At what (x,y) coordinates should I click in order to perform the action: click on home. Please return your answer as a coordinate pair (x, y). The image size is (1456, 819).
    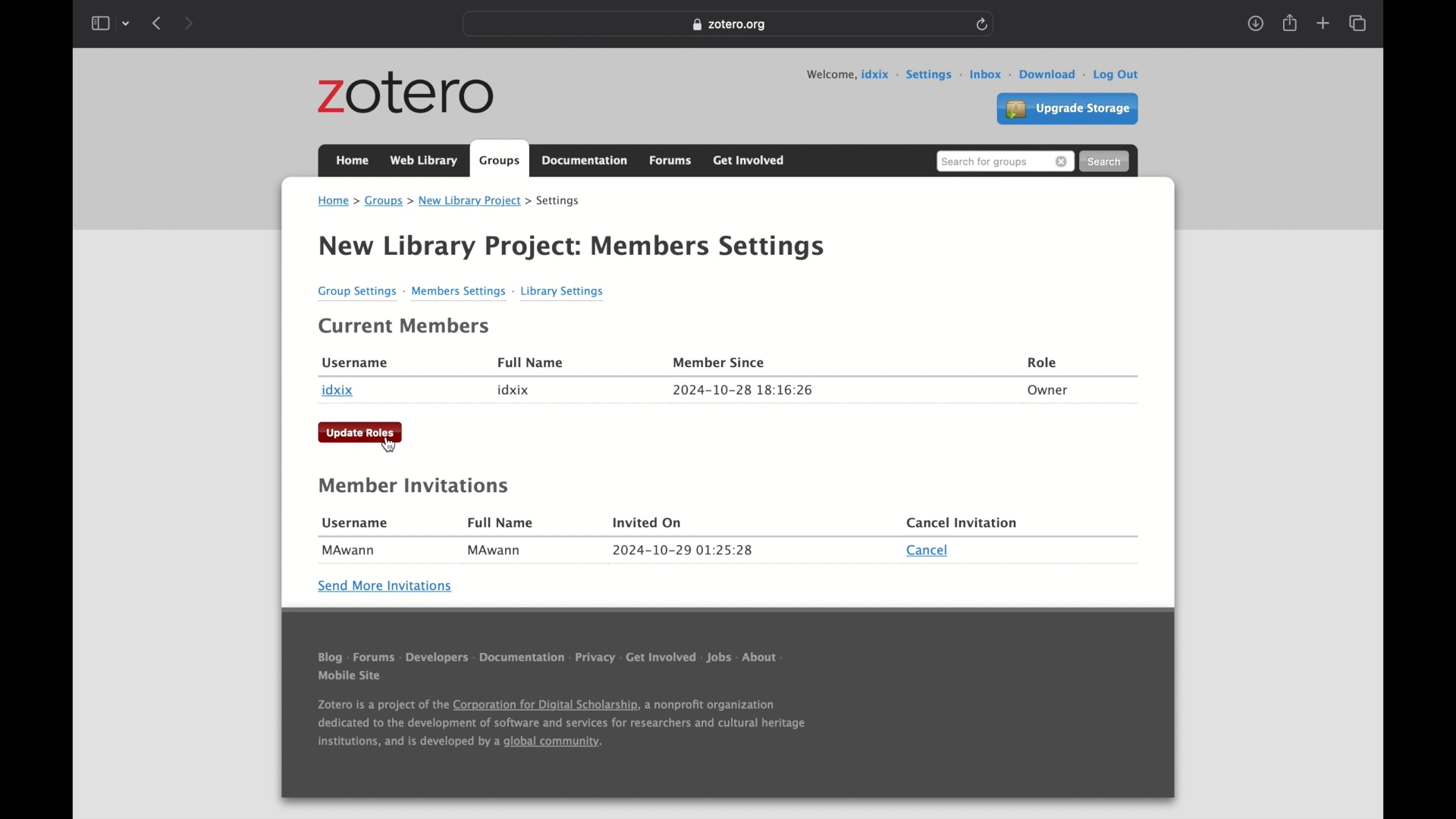
    Looking at the image, I should click on (337, 201).